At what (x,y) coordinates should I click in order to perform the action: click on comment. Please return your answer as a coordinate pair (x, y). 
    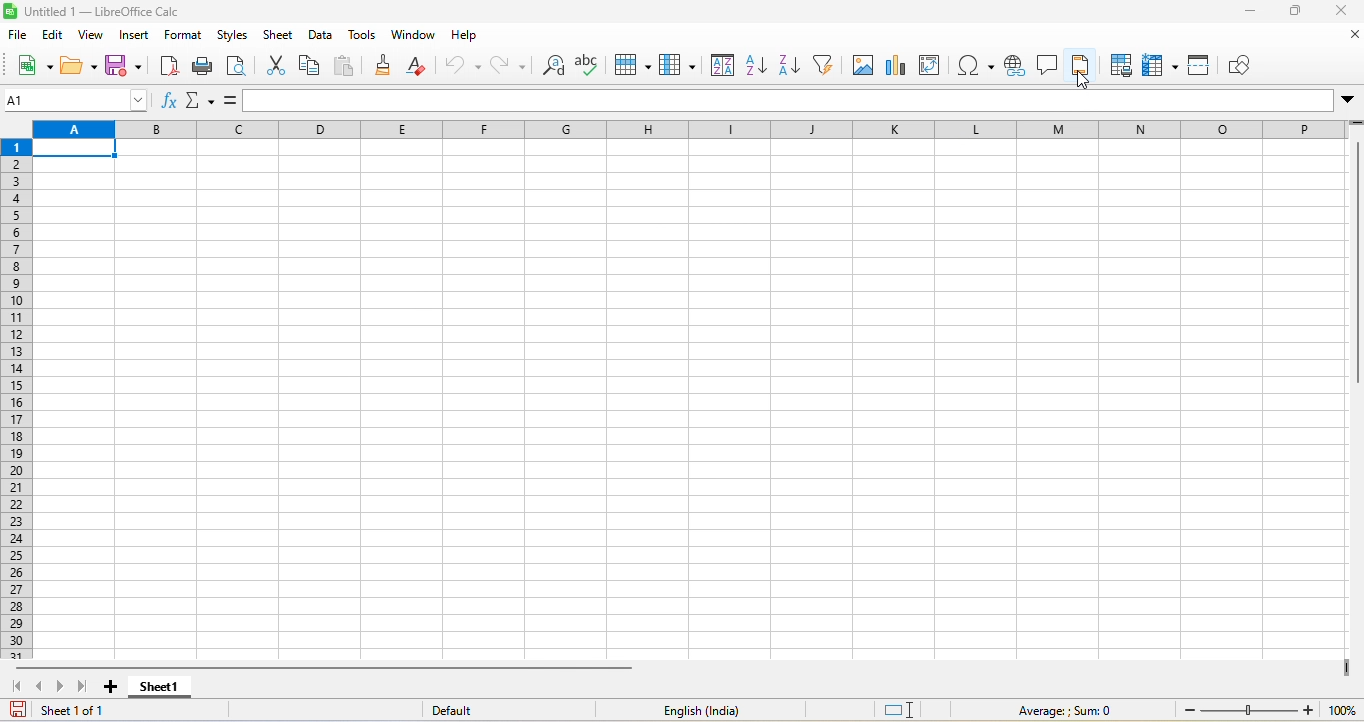
    Looking at the image, I should click on (1046, 64).